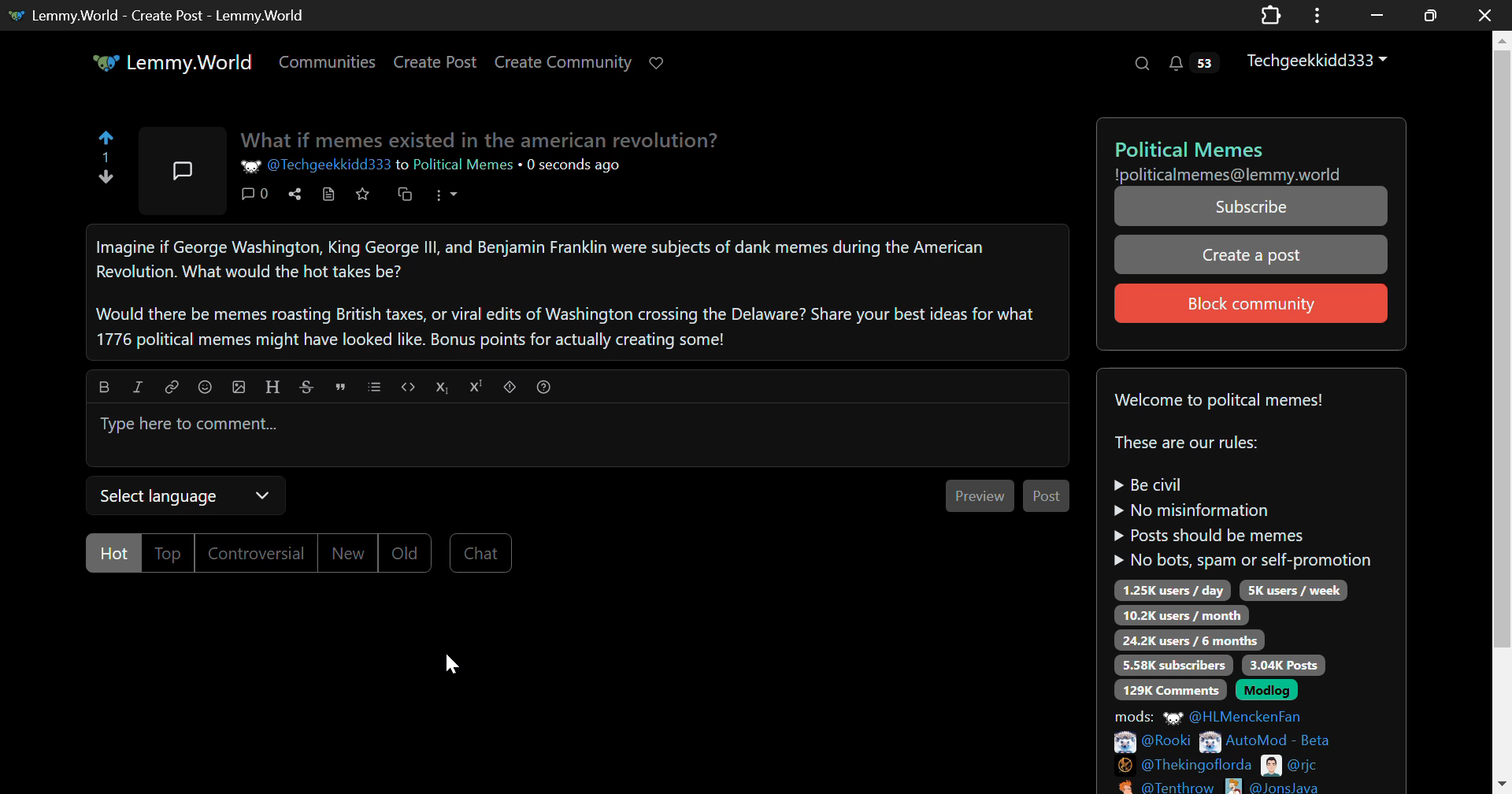  What do you see at coordinates (1247, 206) in the screenshot?
I see `Subscribe Button` at bounding box center [1247, 206].